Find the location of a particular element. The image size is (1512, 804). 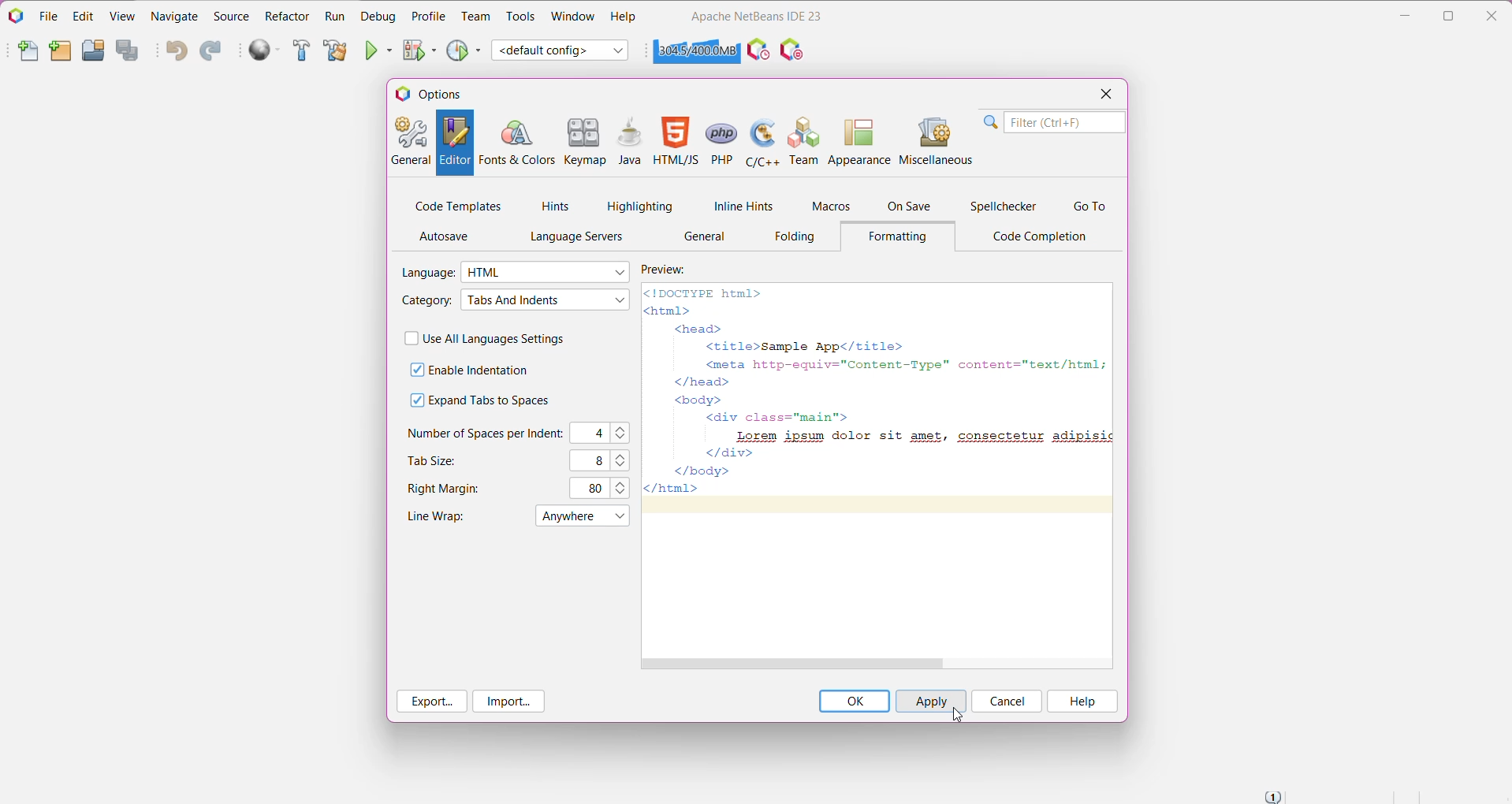

Enable Indentation is located at coordinates (480, 370).